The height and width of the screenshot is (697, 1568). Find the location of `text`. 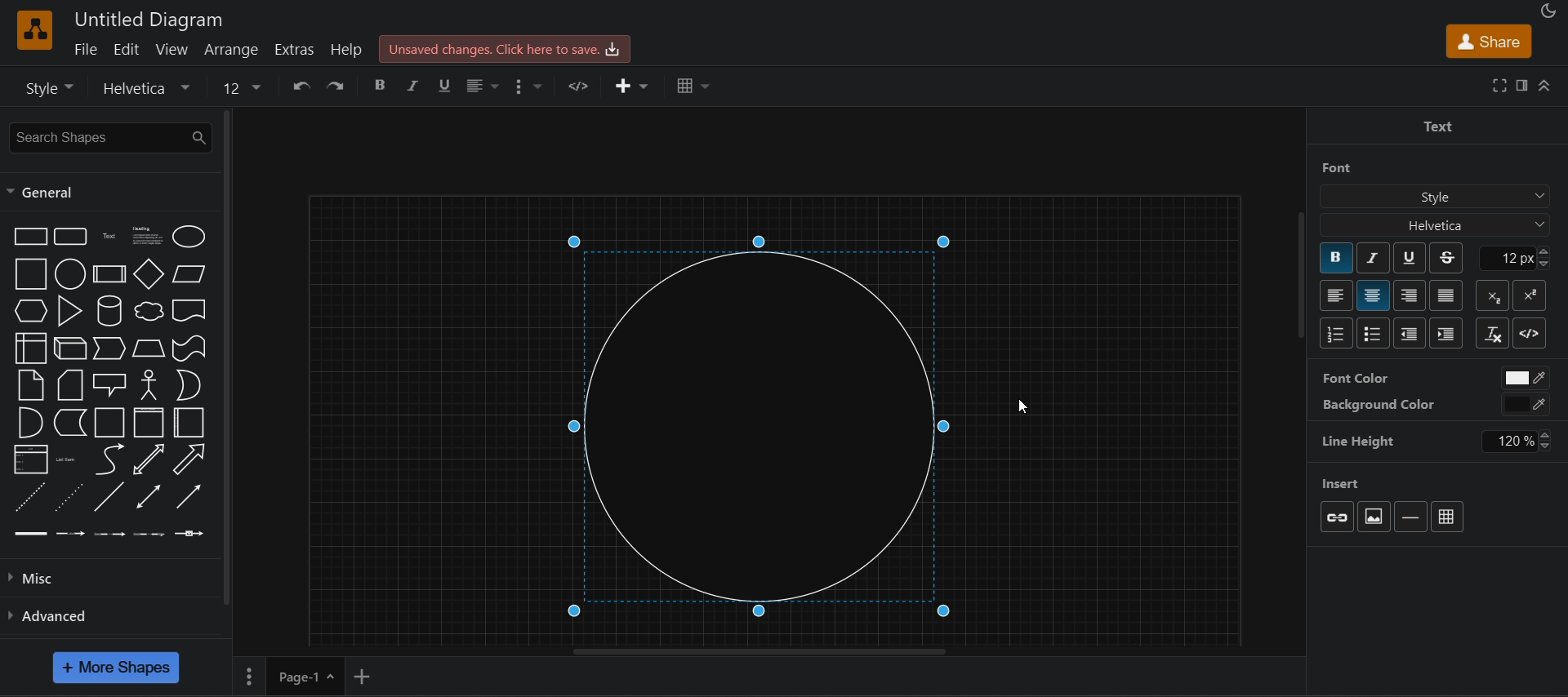

text is located at coordinates (1433, 127).